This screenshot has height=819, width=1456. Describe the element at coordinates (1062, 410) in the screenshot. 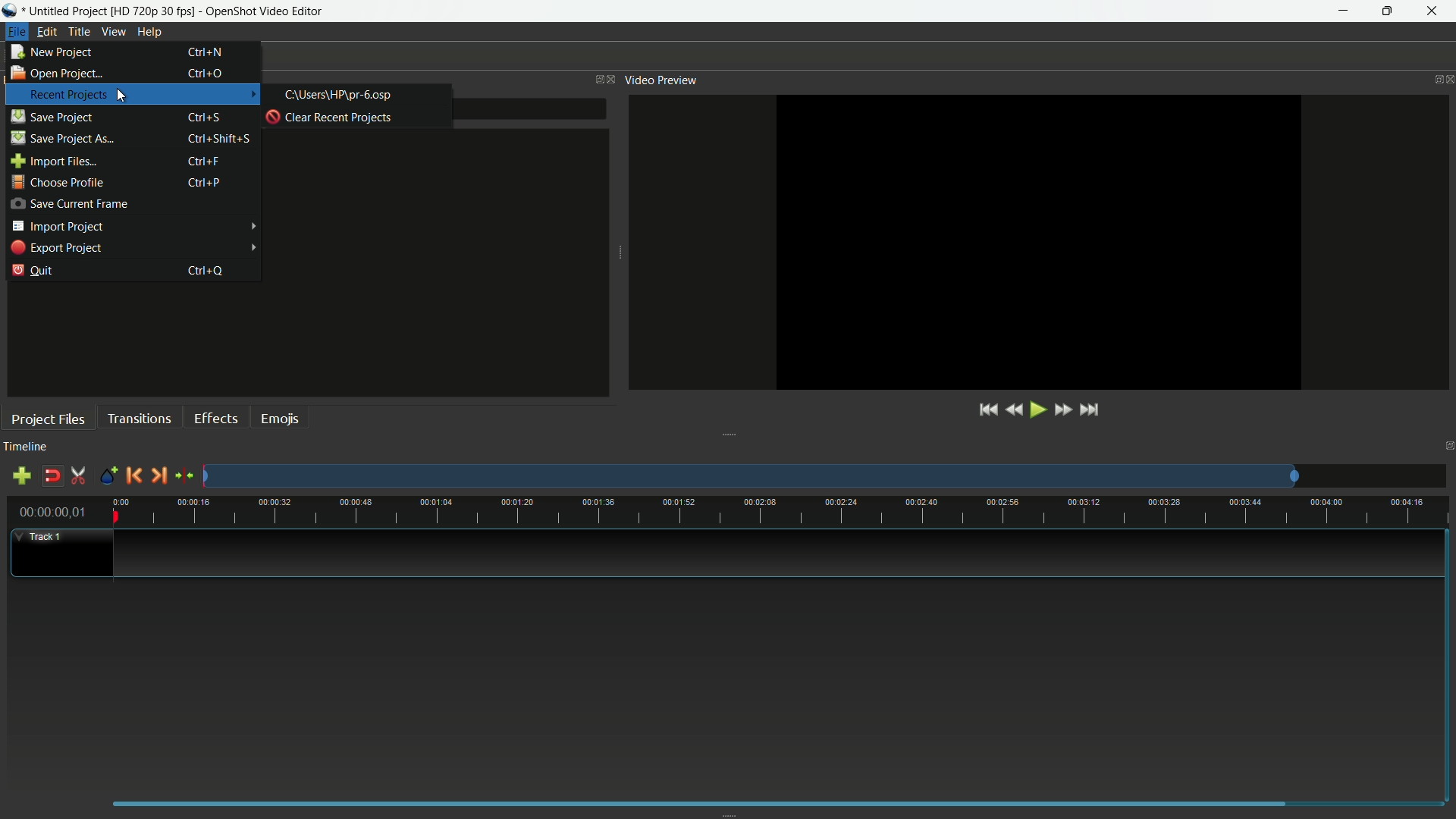

I see `fast forward` at that location.